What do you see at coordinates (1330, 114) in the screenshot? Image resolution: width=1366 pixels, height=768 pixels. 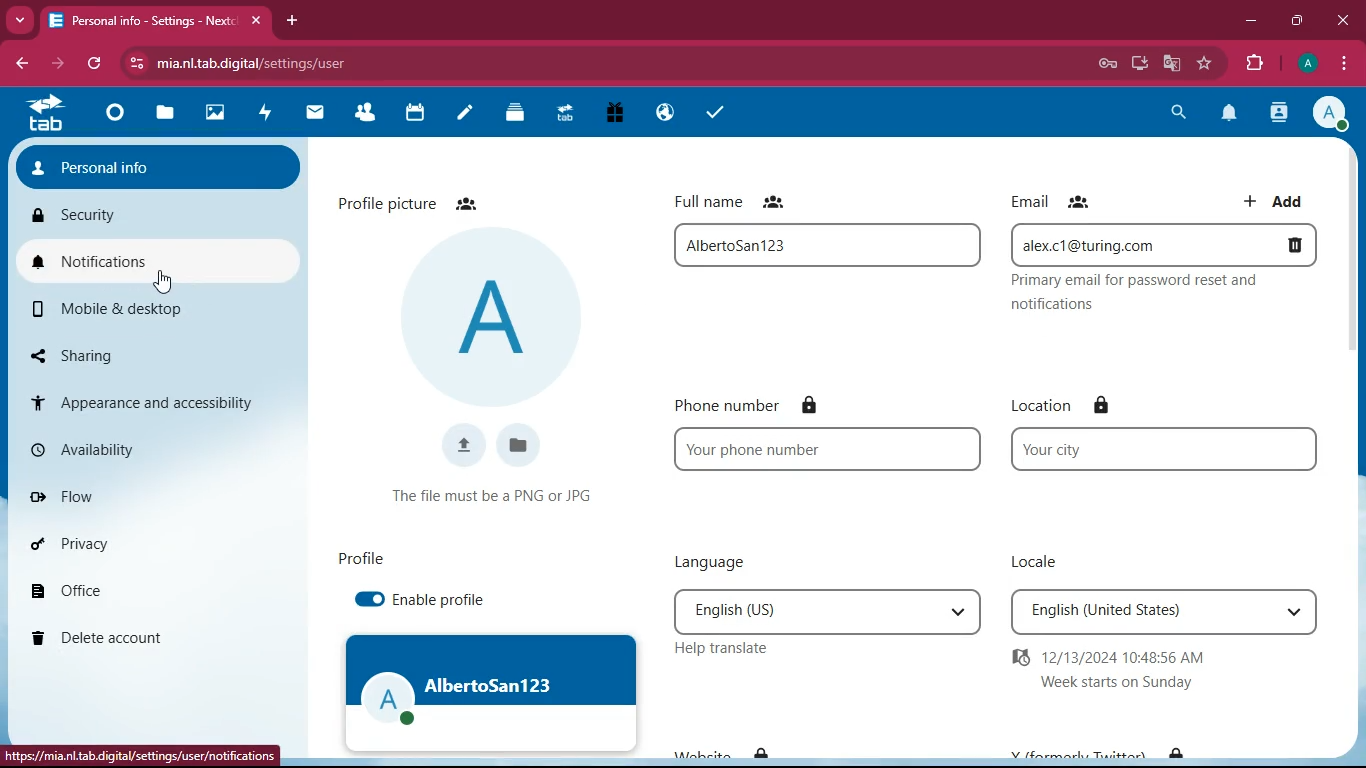 I see `profile` at bounding box center [1330, 114].